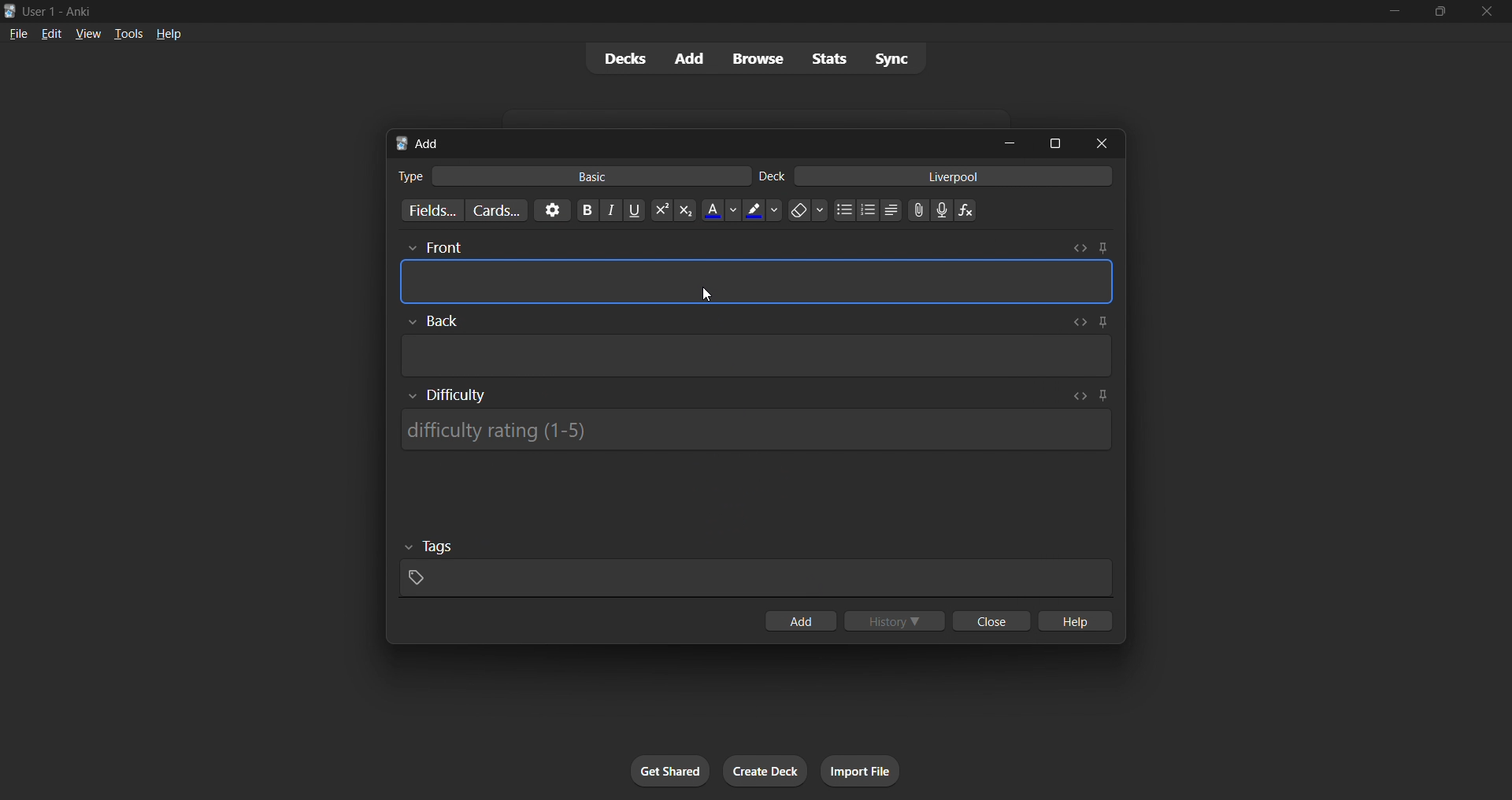  What do you see at coordinates (765, 771) in the screenshot?
I see `create deck` at bounding box center [765, 771].